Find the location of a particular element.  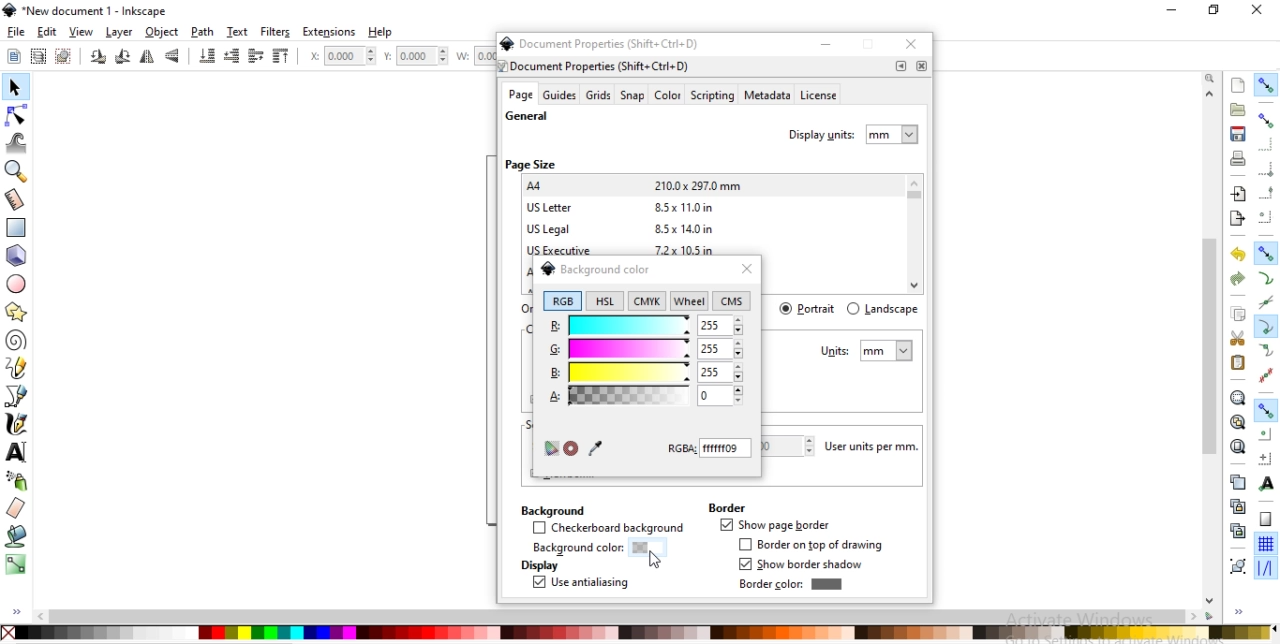

display is located at coordinates (538, 566).